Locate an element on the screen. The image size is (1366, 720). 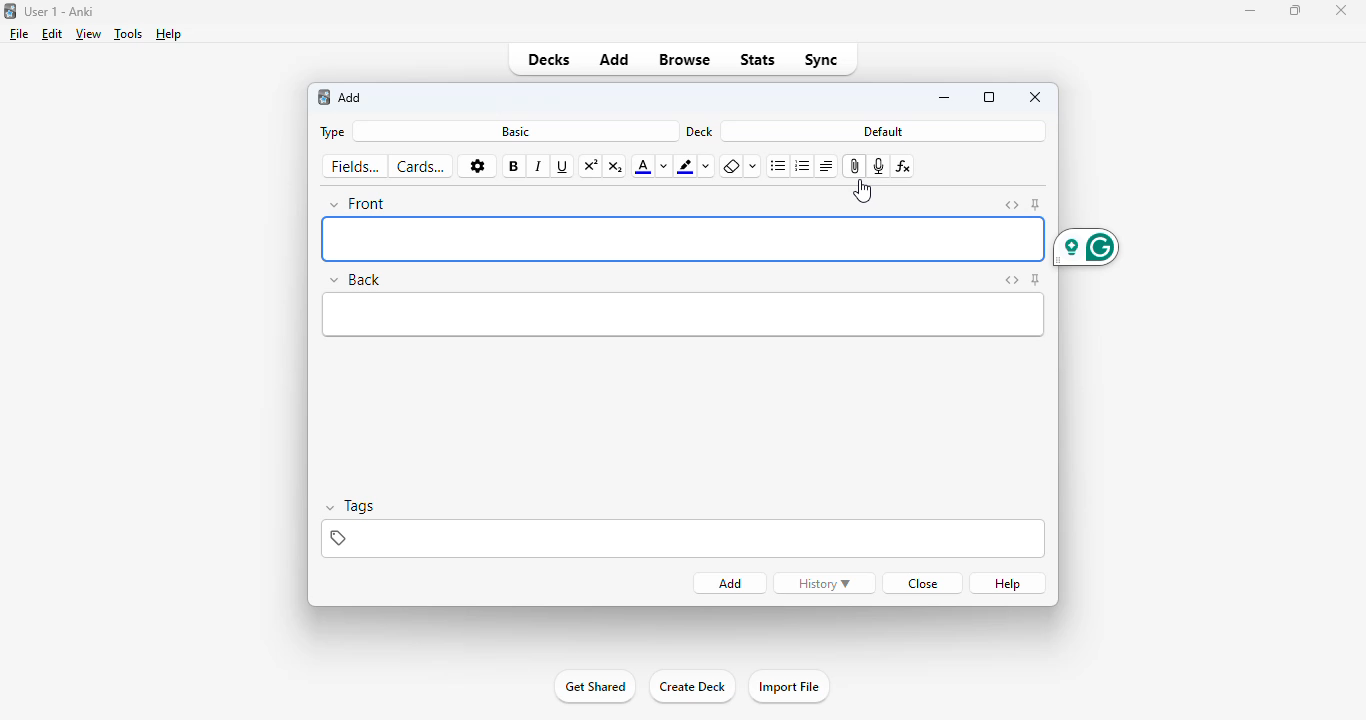
insert back  is located at coordinates (684, 316).